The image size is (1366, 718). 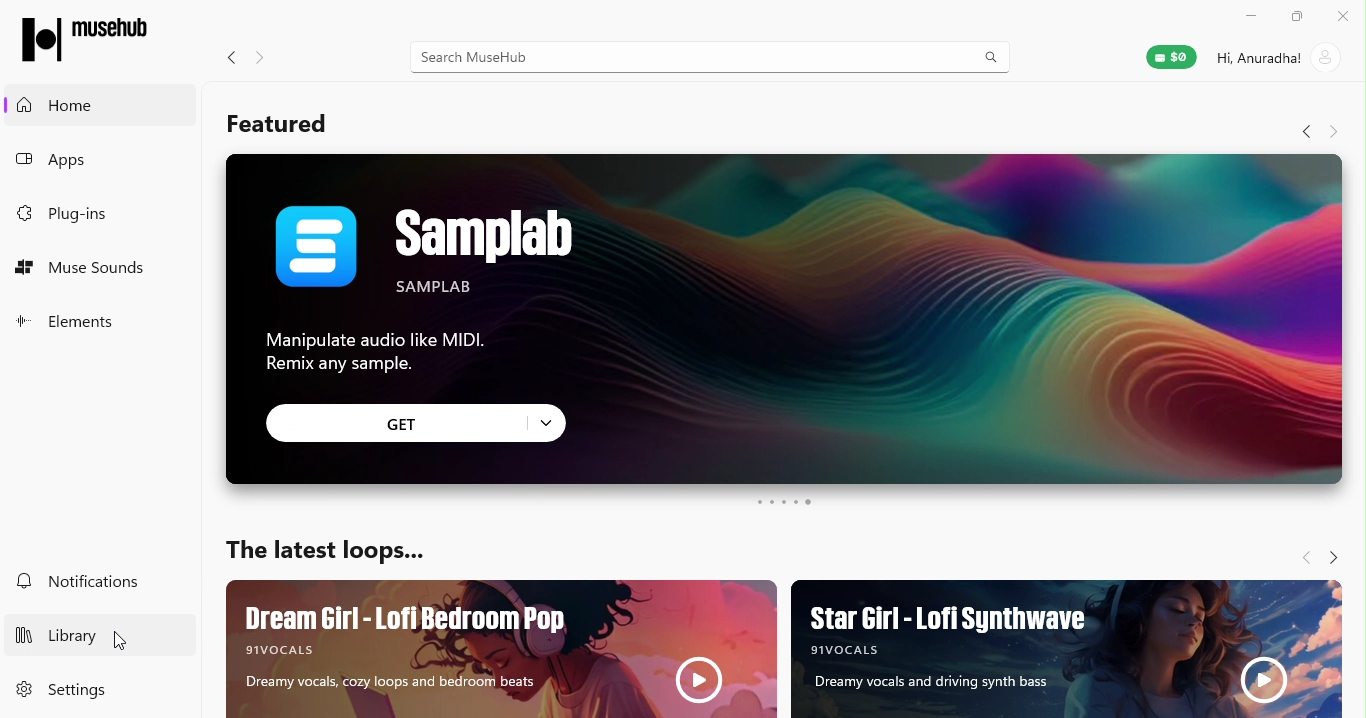 What do you see at coordinates (1296, 553) in the screenshot?
I see `Navigate back` at bounding box center [1296, 553].